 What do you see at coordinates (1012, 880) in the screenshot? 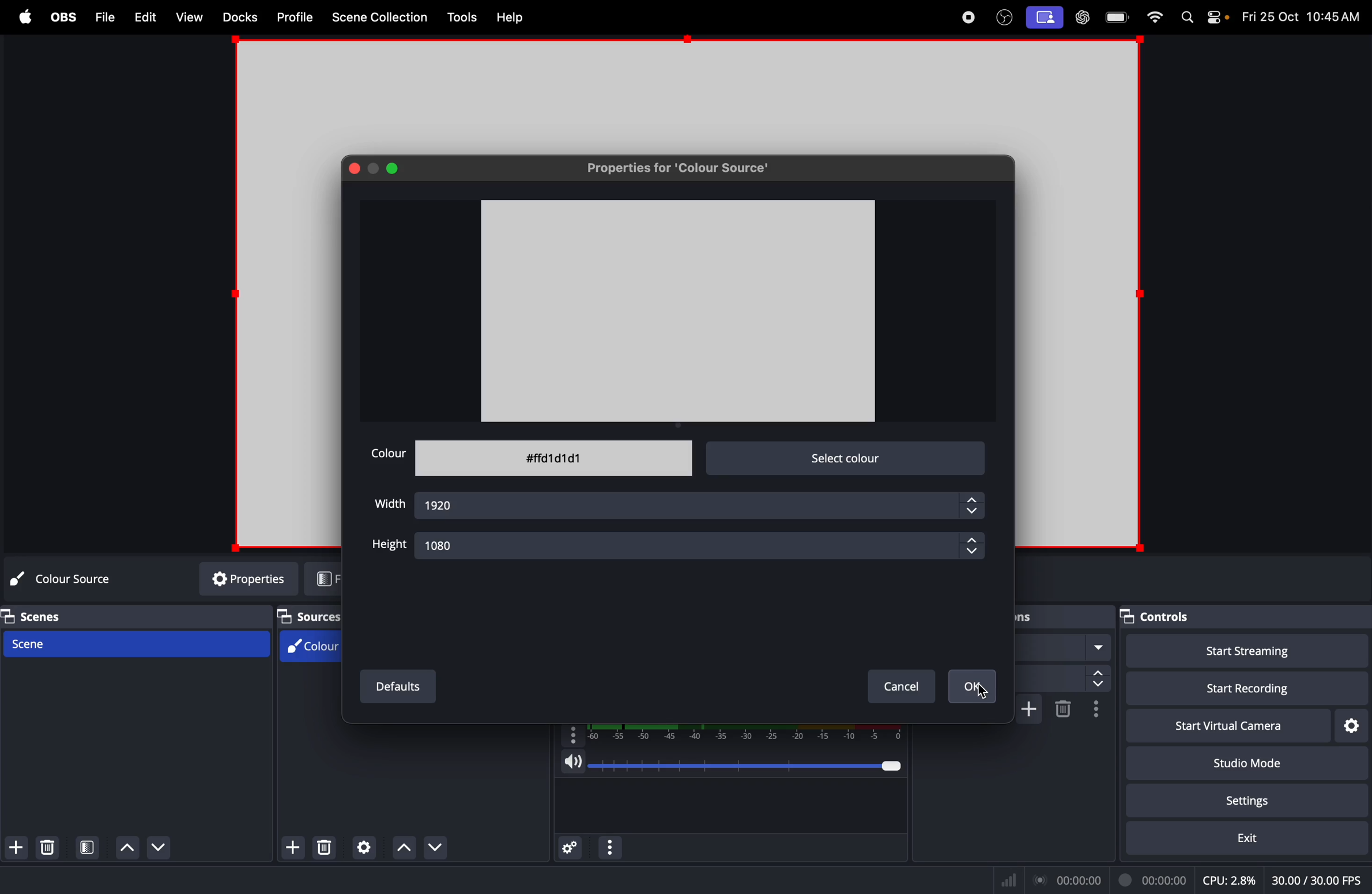
I see `Signal` at bounding box center [1012, 880].